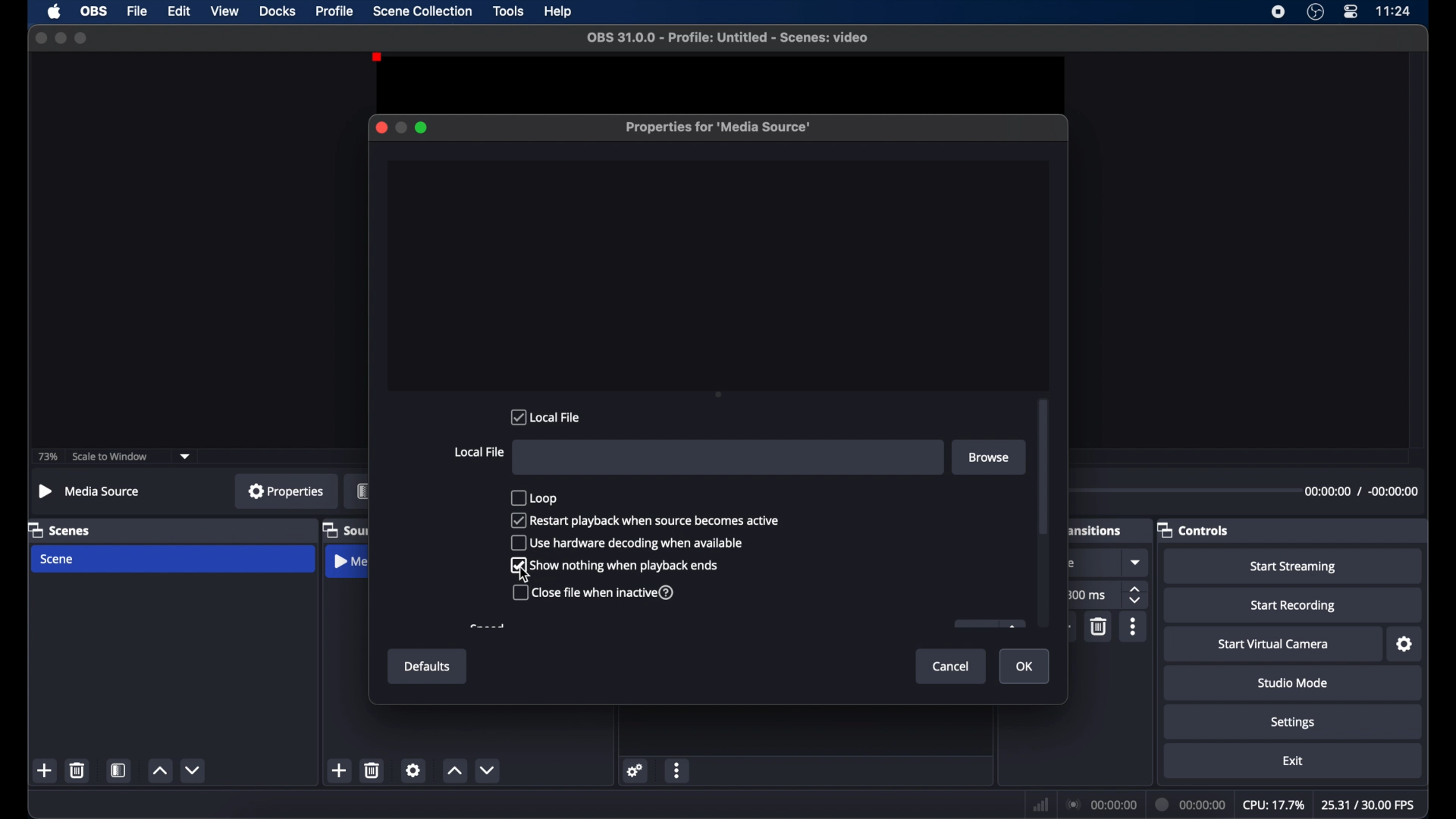 The image size is (1456, 819). Describe the element at coordinates (138, 11) in the screenshot. I see `file` at that location.